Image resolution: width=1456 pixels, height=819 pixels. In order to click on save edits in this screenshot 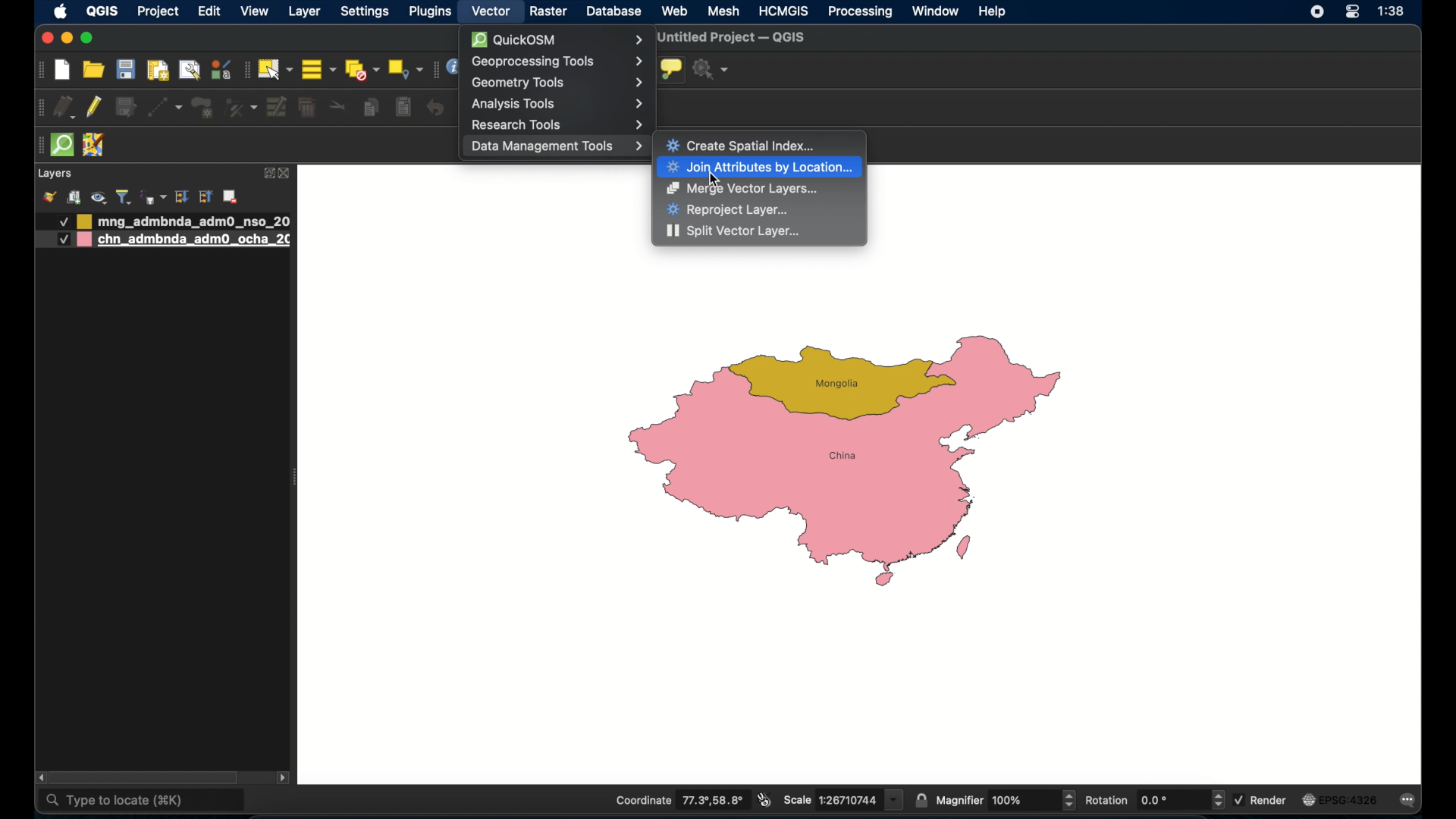, I will do `click(127, 107)`.